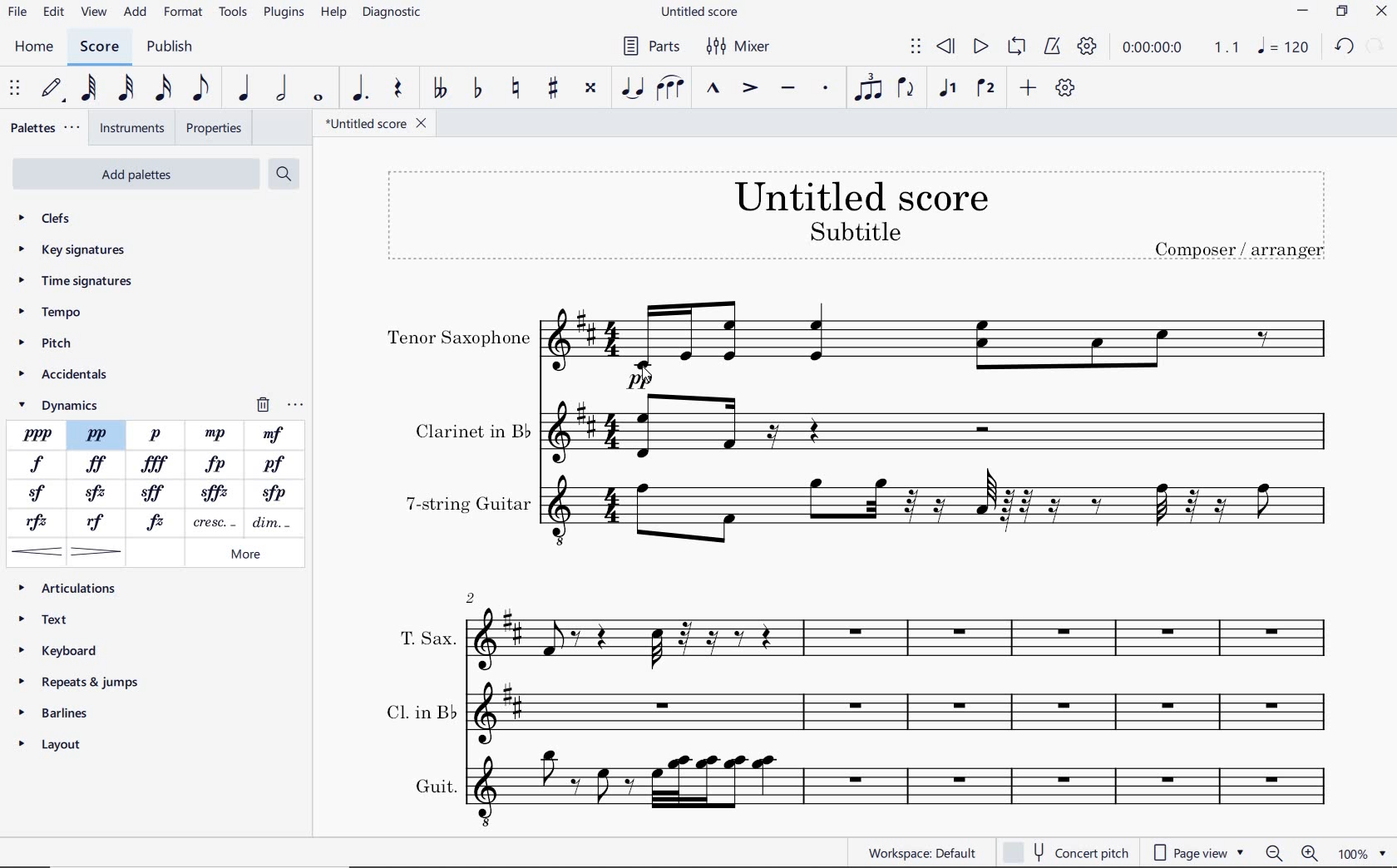 This screenshot has height=868, width=1397. Describe the element at coordinates (20, 12) in the screenshot. I see `file` at that location.